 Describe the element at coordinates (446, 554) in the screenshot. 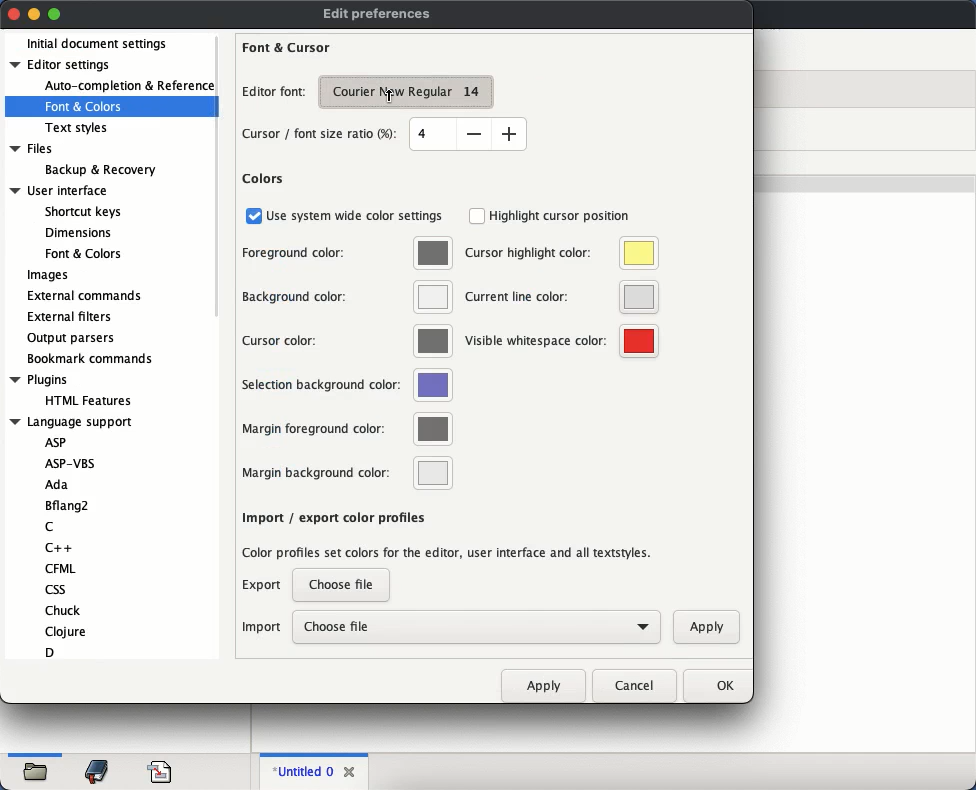

I see `Colour profile set colours for the editor user interface and all text styles` at that location.